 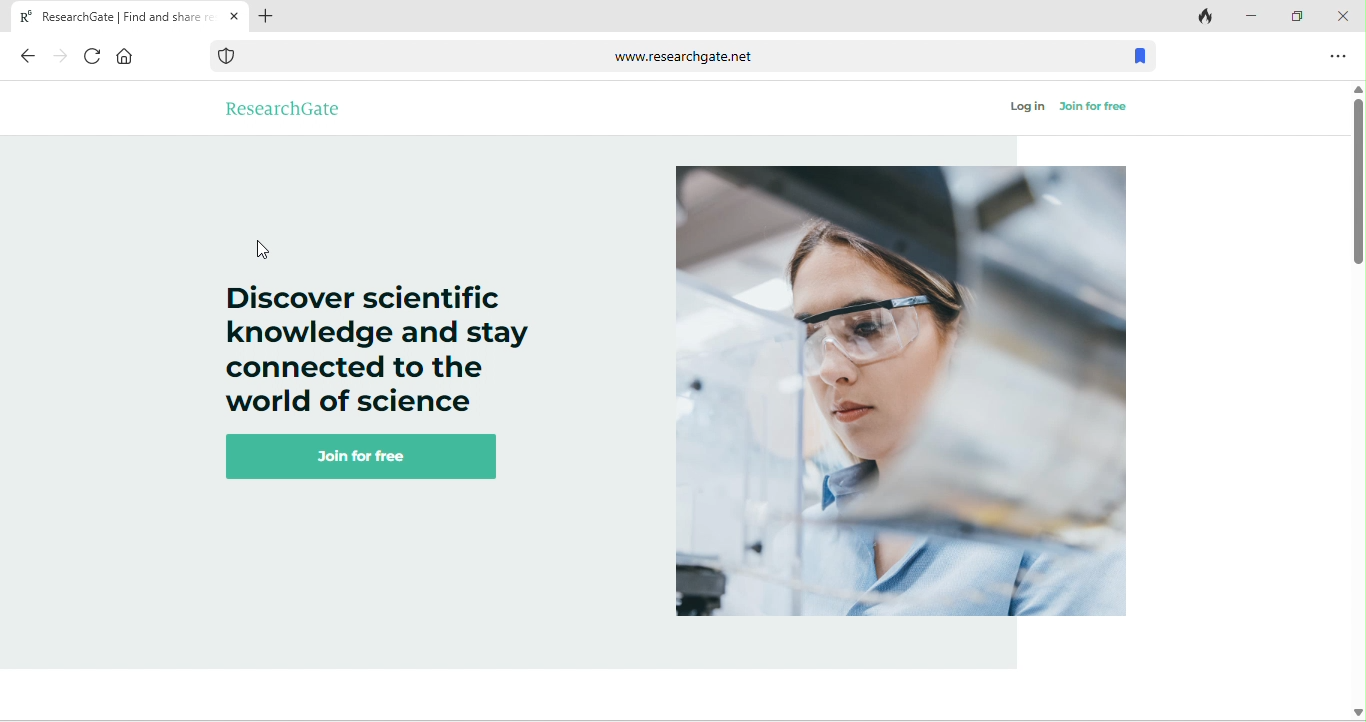 What do you see at coordinates (1141, 54) in the screenshot?
I see `bookmark` at bounding box center [1141, 54].